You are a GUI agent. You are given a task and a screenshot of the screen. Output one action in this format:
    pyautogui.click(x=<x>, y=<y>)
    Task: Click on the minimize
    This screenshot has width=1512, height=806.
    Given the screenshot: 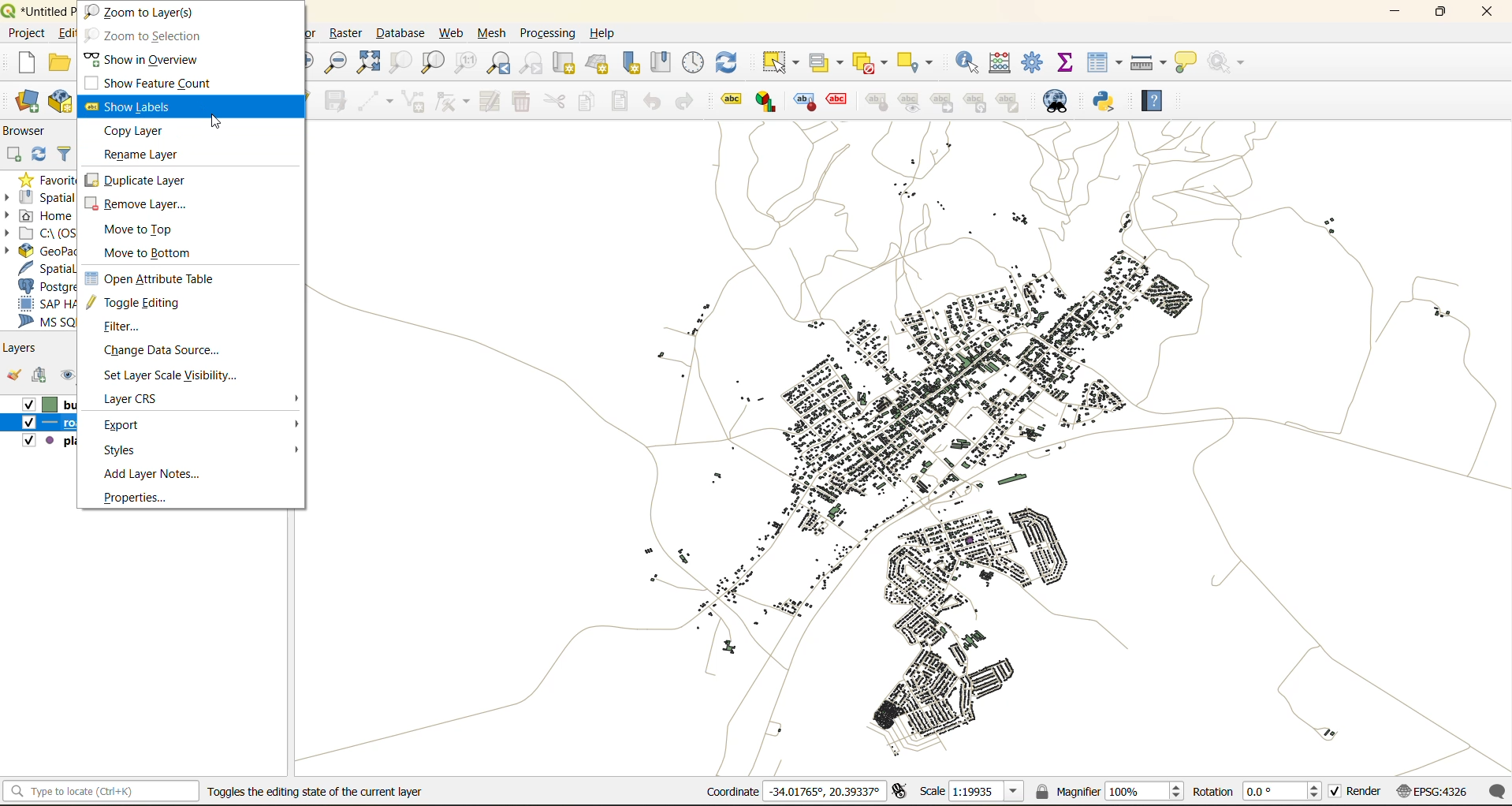 What is the action you would take?
    pyautogui.click(x=1394, y=12)
    